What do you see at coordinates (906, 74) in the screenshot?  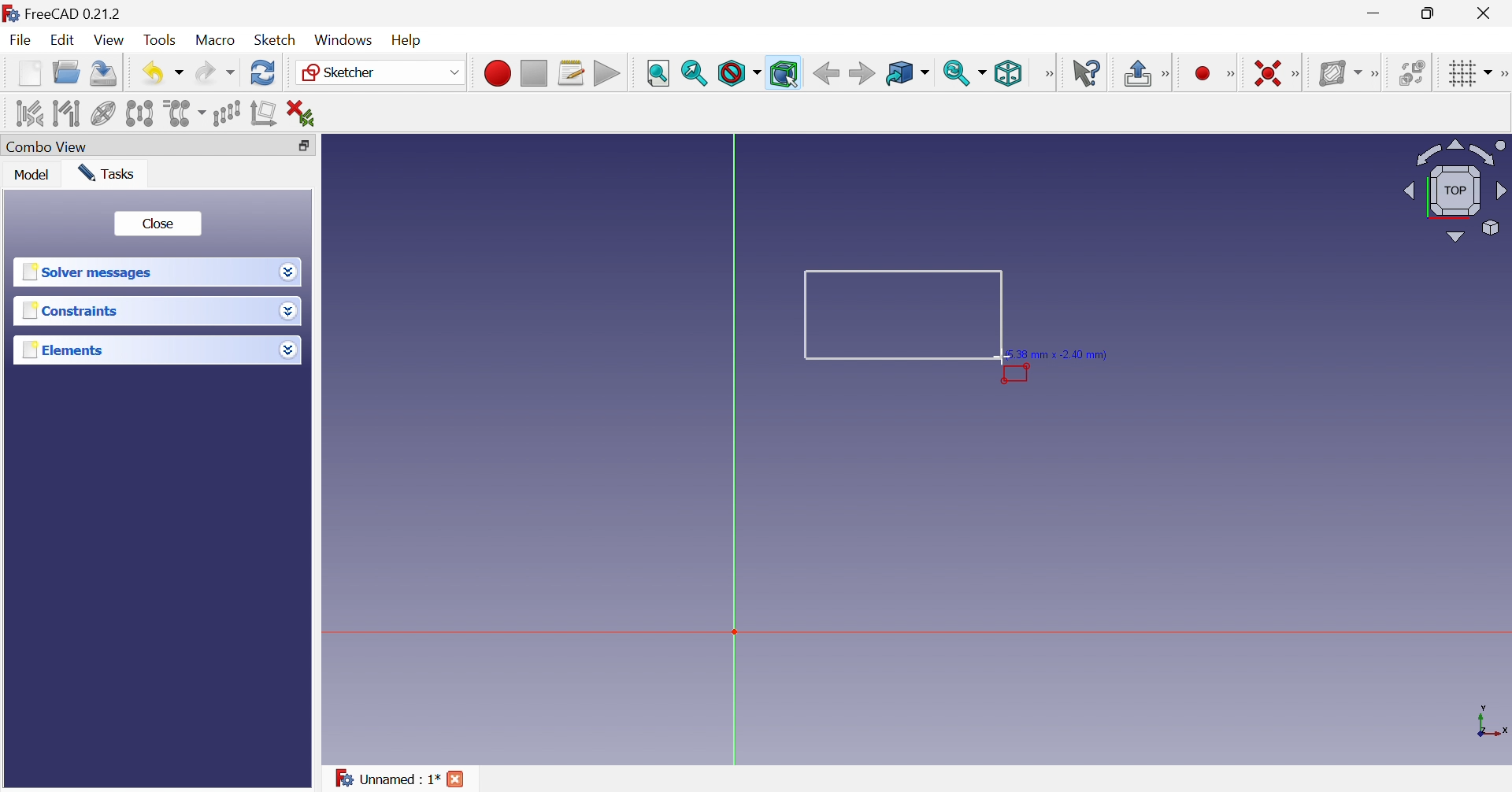 I see `Go to linked object` at bounding box center [906, 74].